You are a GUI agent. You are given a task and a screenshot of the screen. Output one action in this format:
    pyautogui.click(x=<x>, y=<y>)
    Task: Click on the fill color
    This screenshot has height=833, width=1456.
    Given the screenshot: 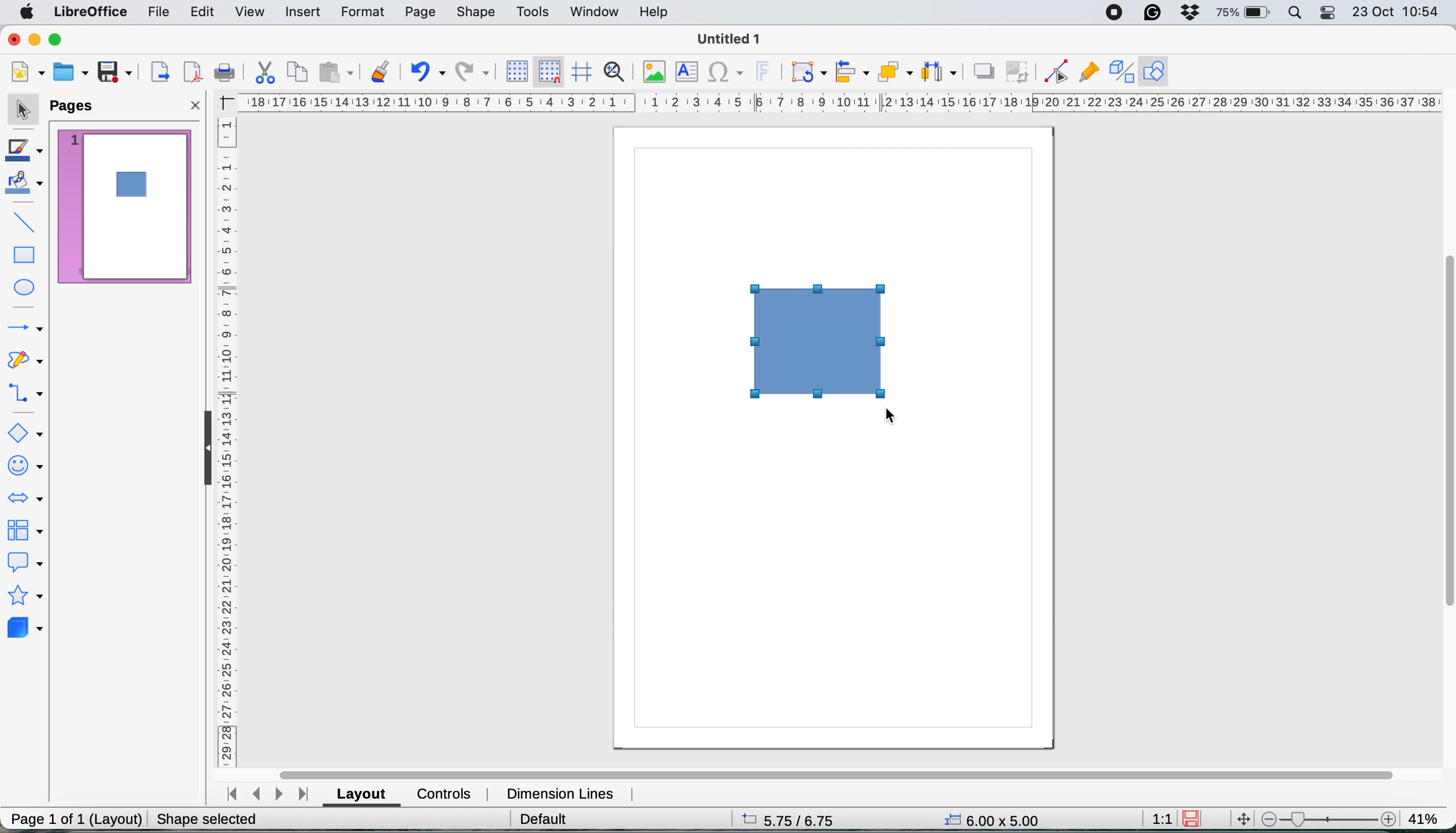 What is the action you would take?
    pyautogui.click(x=27, y=187)
    